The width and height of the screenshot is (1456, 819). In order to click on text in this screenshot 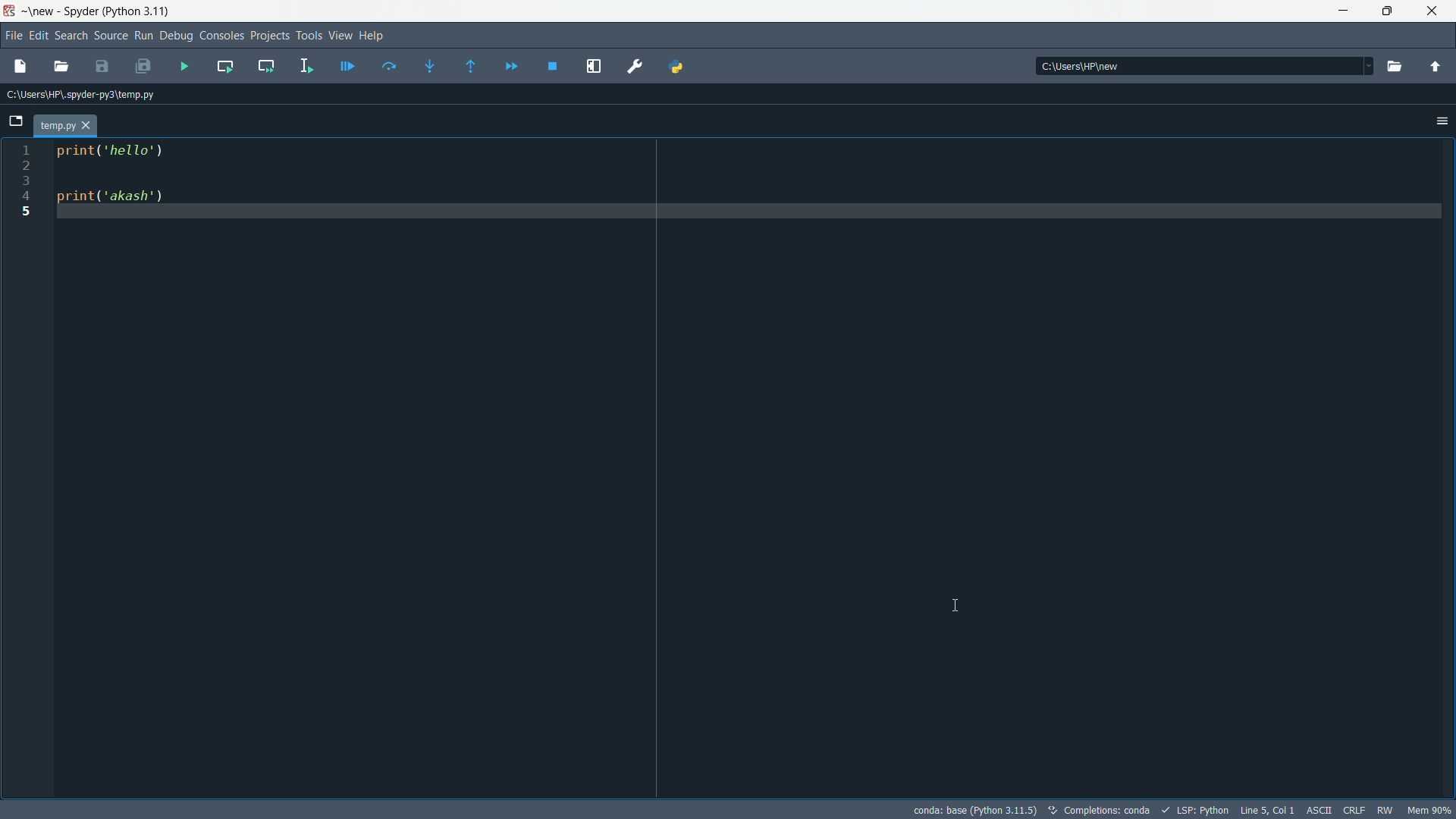, I will do `click(1117, 810)`.